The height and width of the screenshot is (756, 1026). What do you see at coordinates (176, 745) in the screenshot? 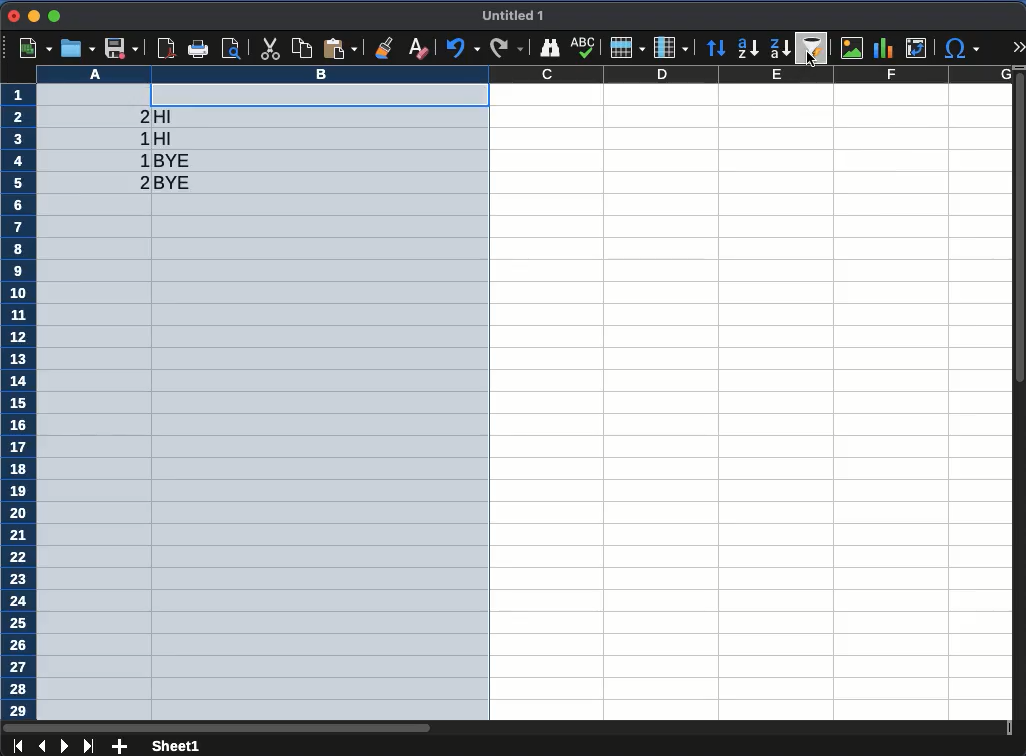
I see `sheet 1` at bounding box center [176, 745].